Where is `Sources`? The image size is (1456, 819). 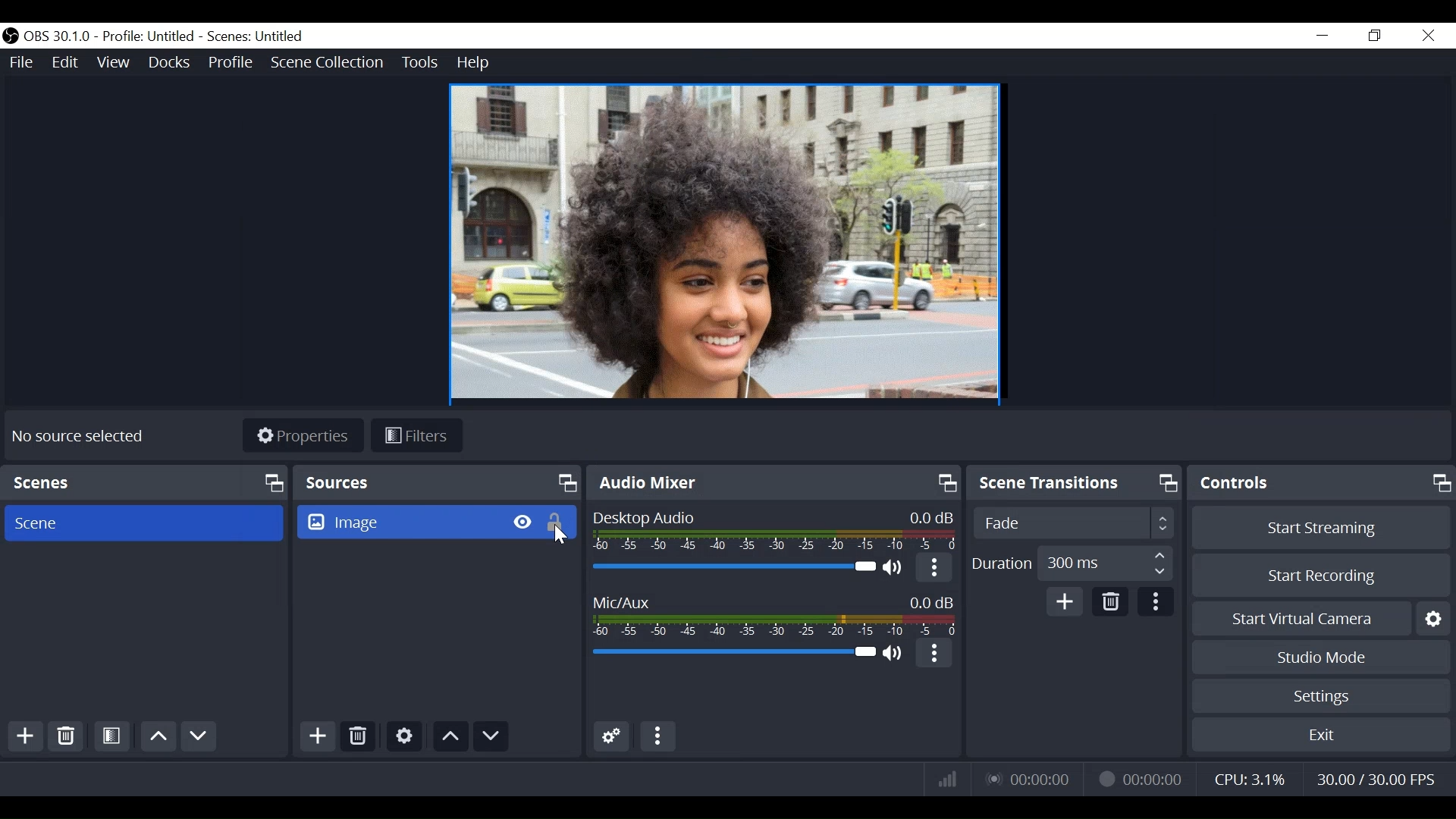
Sources is located at coordinates (436, 482).